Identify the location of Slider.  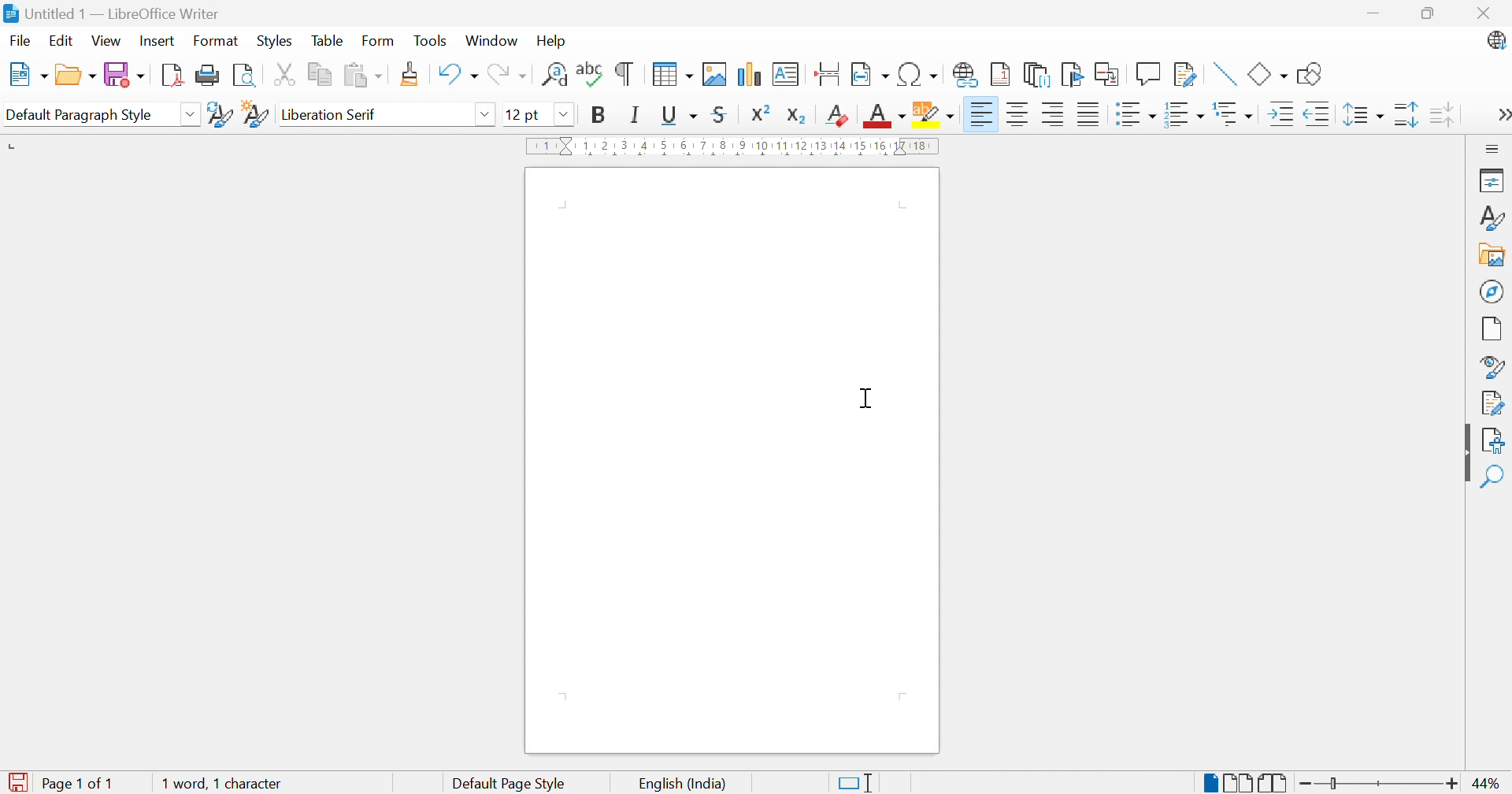
(1332, 782).